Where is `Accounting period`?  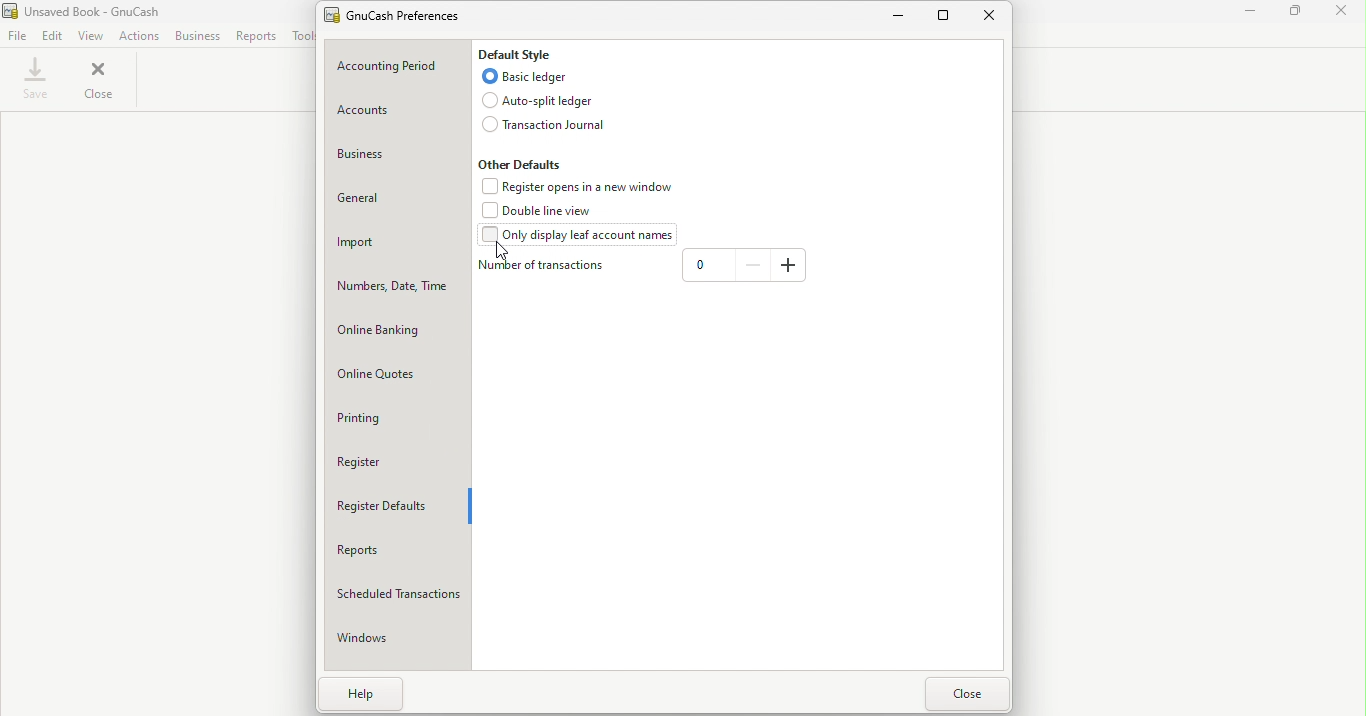
Accounting period is located at coordinates (399, 66).